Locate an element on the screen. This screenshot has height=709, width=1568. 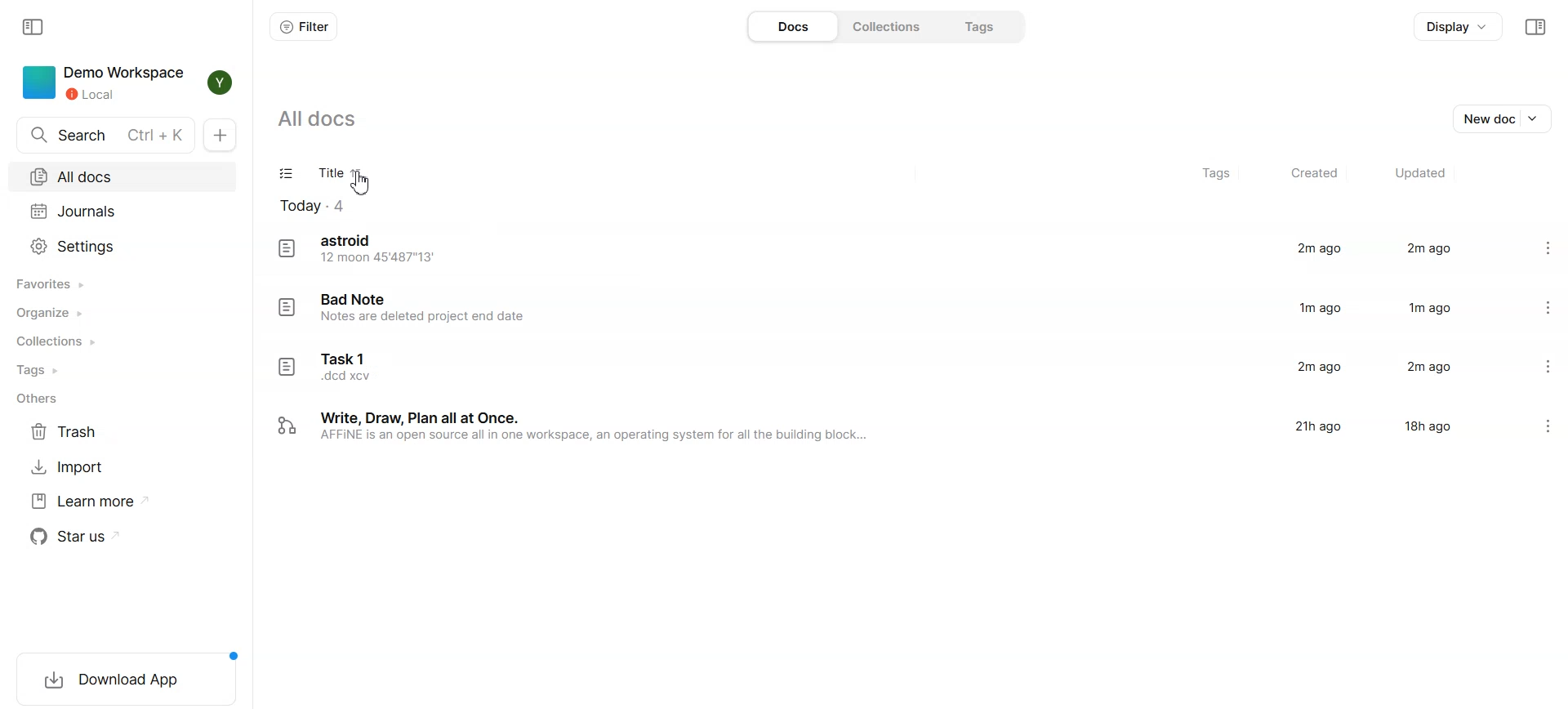
New doc is located at coordinates (1484, 118).